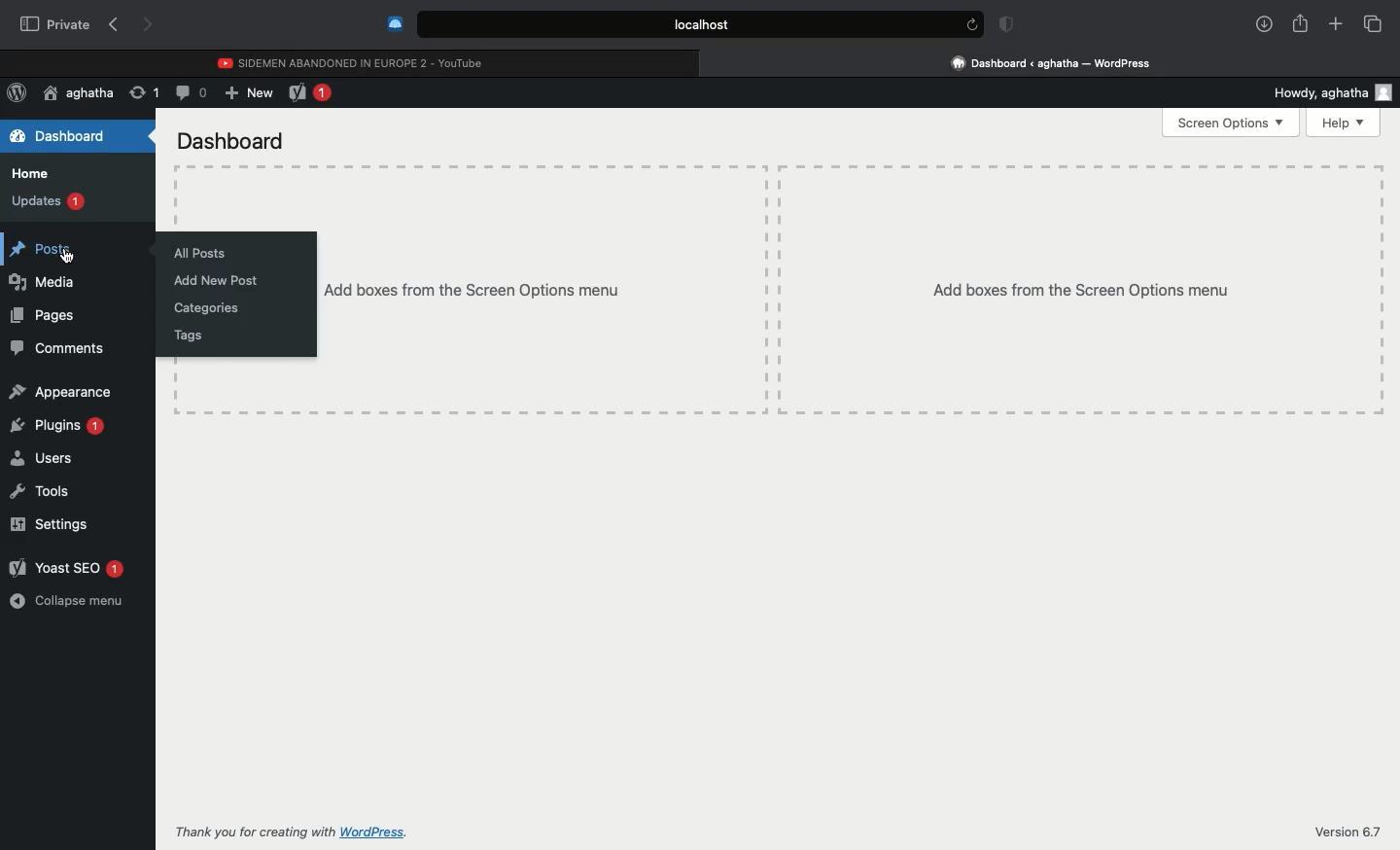 Image resolution: width=1400 pixels, height=850 pixels. What do you see at coordinates (313, 94) in the screenshot?
I see `Yoast` at bounding box center [313, 94].